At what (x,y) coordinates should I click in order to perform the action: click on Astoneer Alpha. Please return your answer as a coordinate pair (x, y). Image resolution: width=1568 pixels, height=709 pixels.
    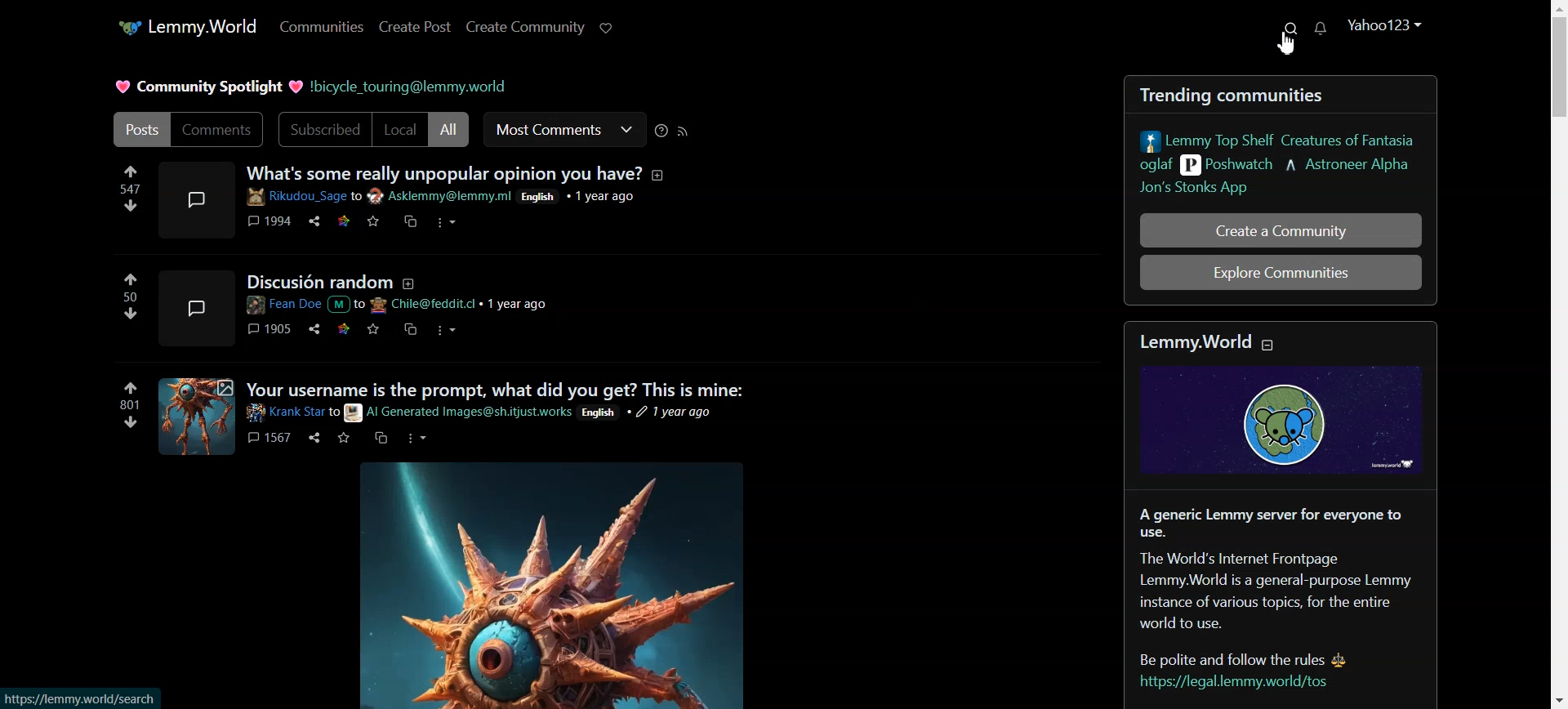
    Looking at the image, I should click on (1349, 165).